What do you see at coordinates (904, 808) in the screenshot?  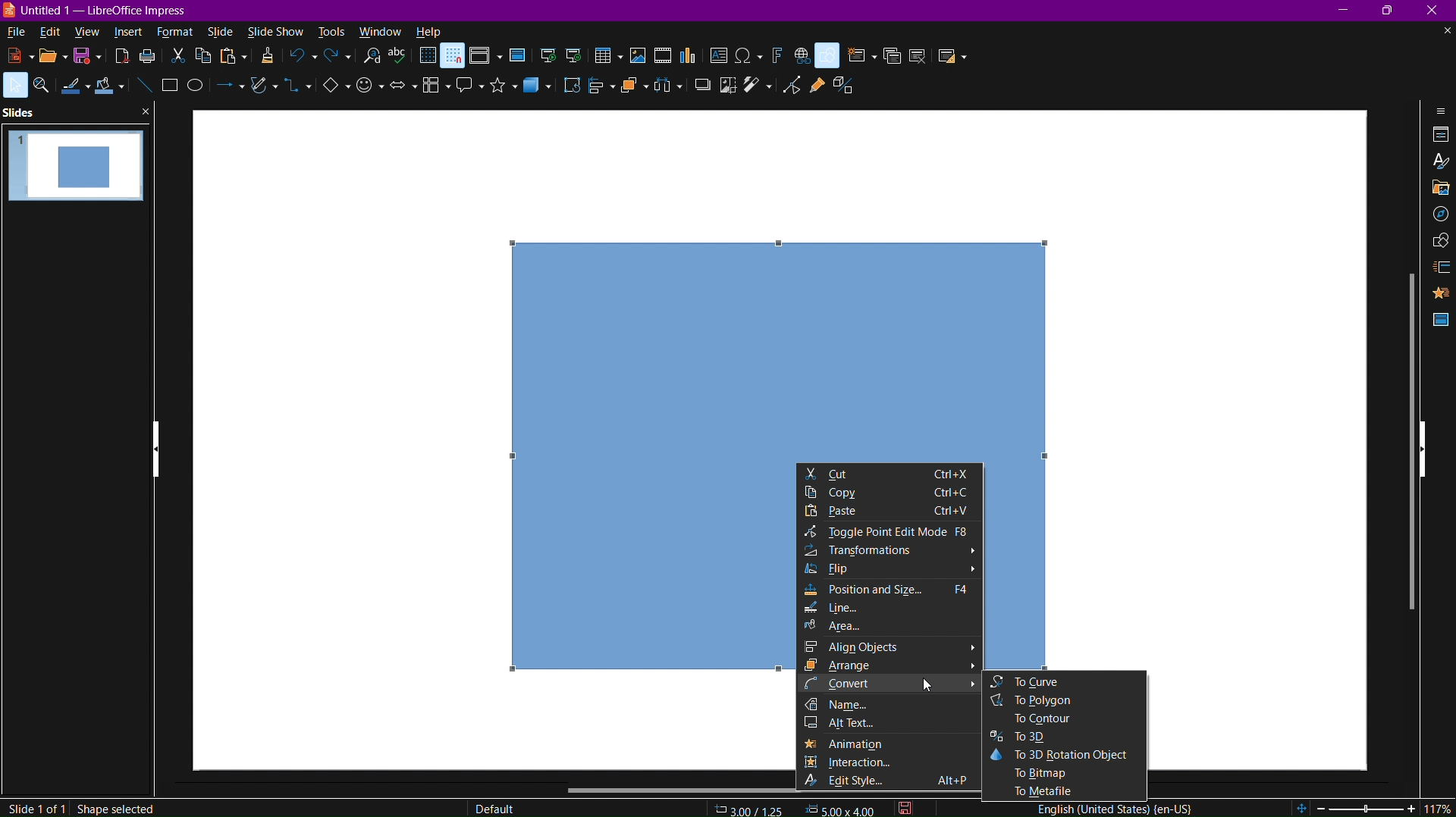 I see `click to save document` at bounding box center [904, 808].